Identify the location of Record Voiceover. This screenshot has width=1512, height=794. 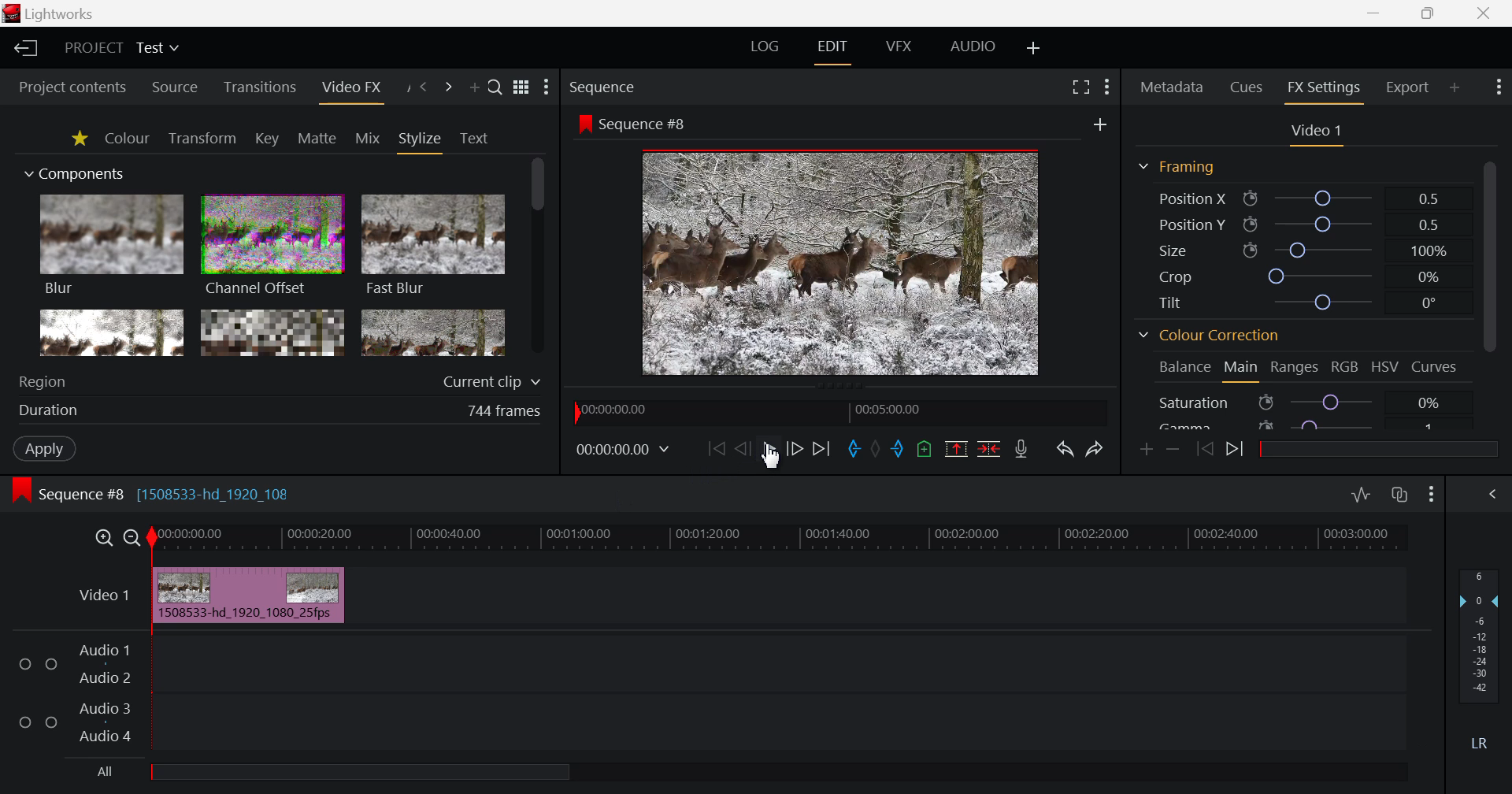
(1024, 449).